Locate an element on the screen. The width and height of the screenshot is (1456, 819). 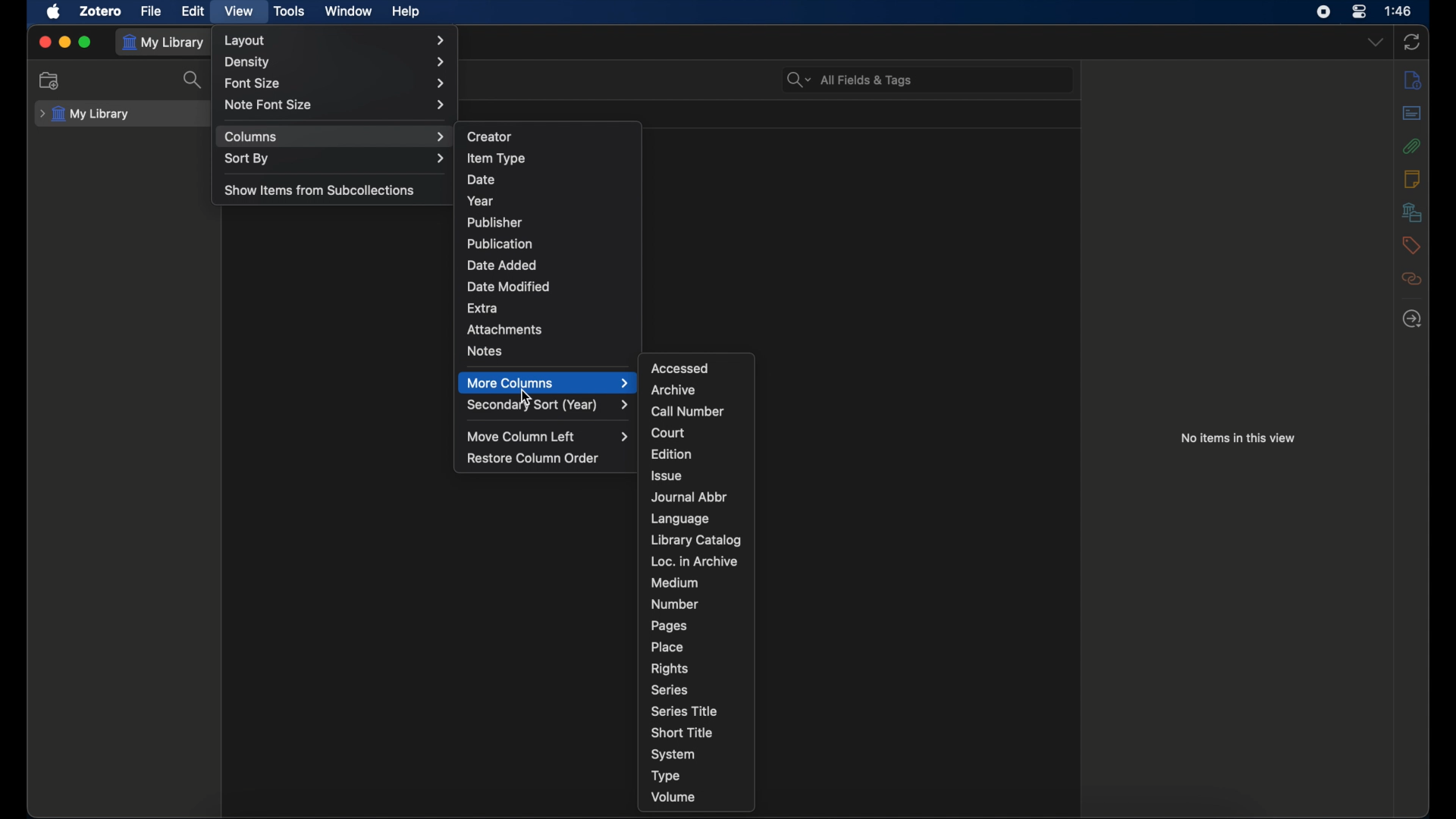
language is located at coordinates (681, 519).